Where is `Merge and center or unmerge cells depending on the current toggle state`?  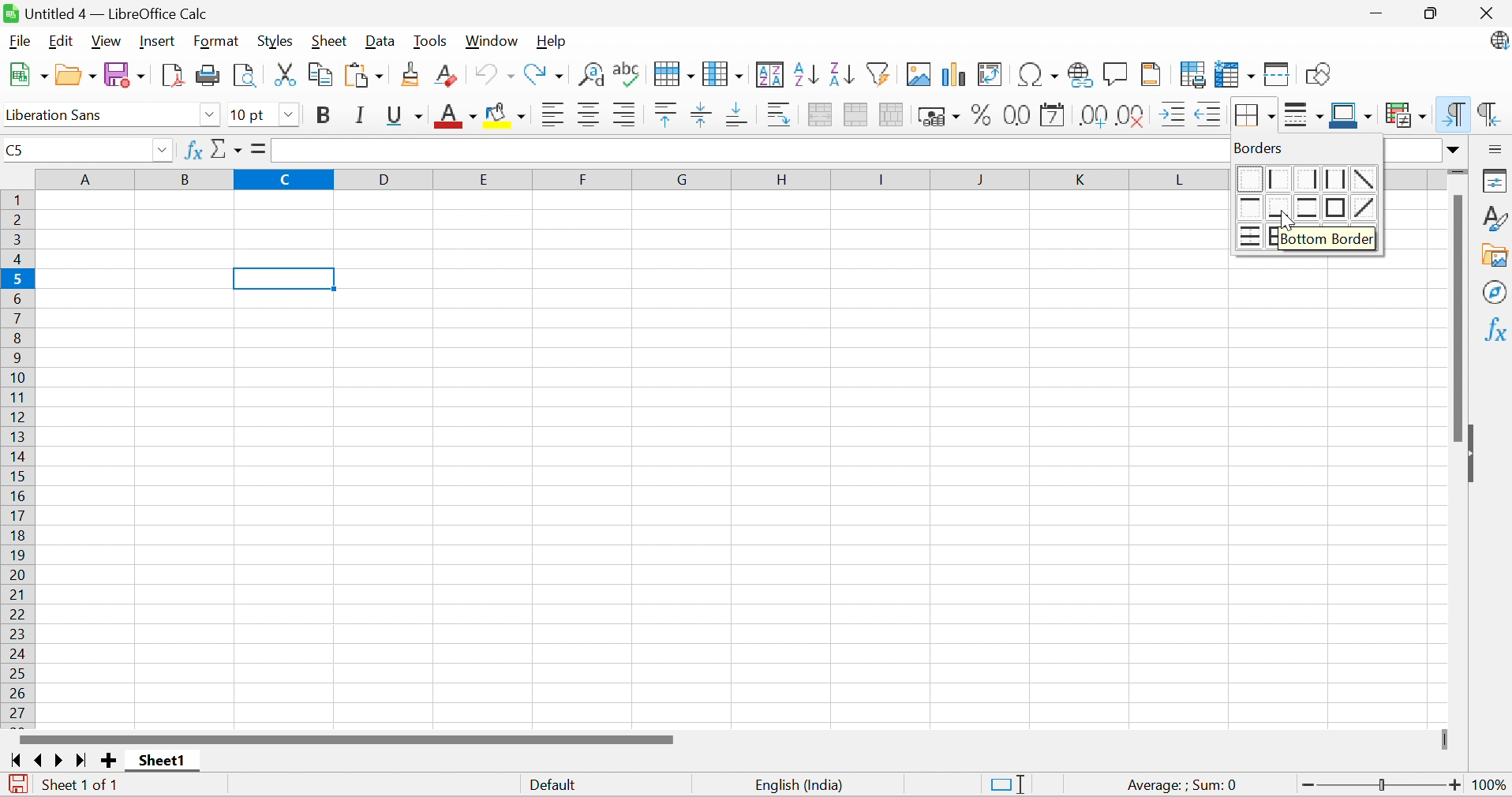
Merge and center or unmerge cells depending on the current toggle state is located at coordinates (821, 114).